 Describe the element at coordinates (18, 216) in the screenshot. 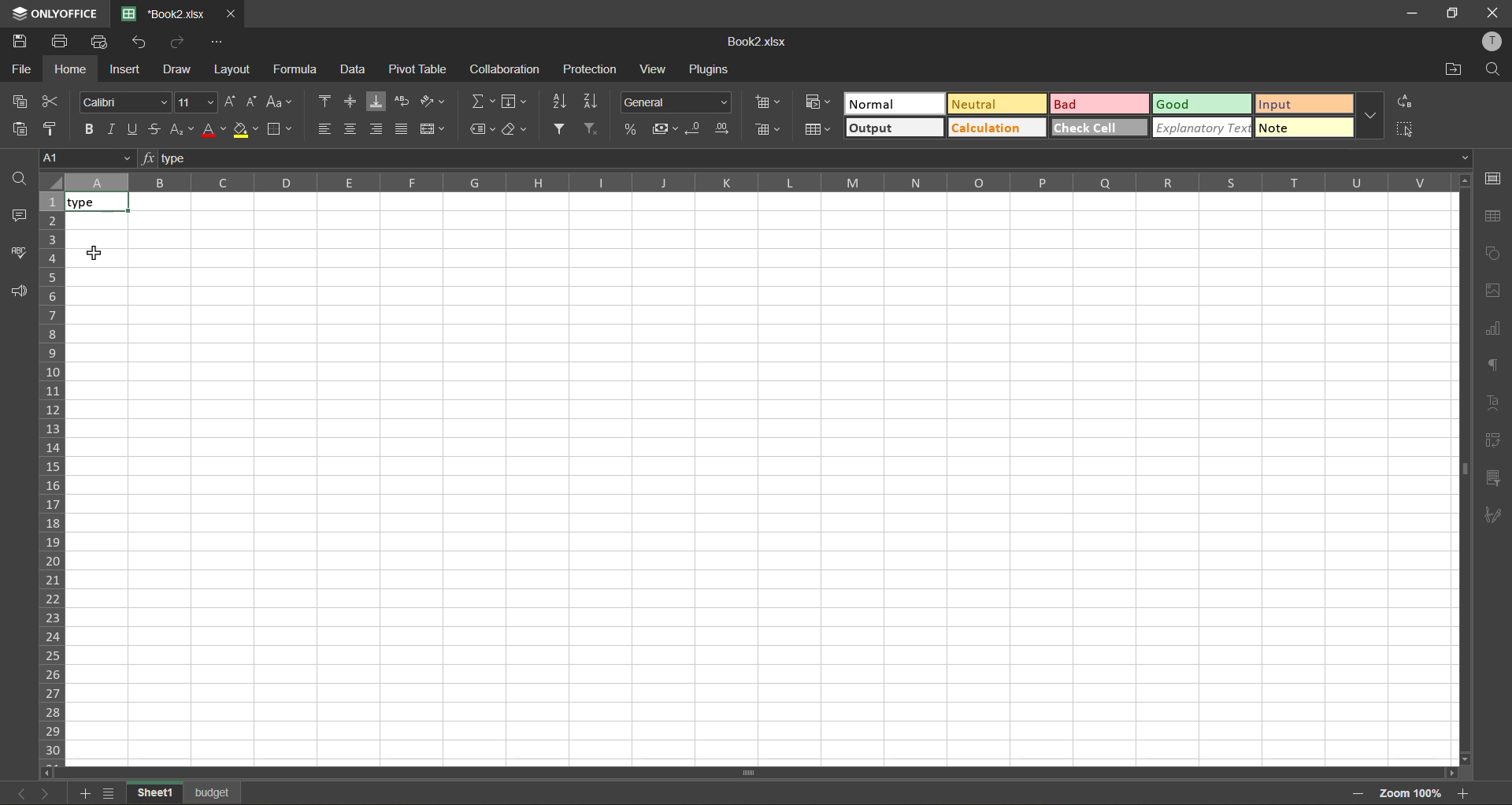

I see `comments` at that location.